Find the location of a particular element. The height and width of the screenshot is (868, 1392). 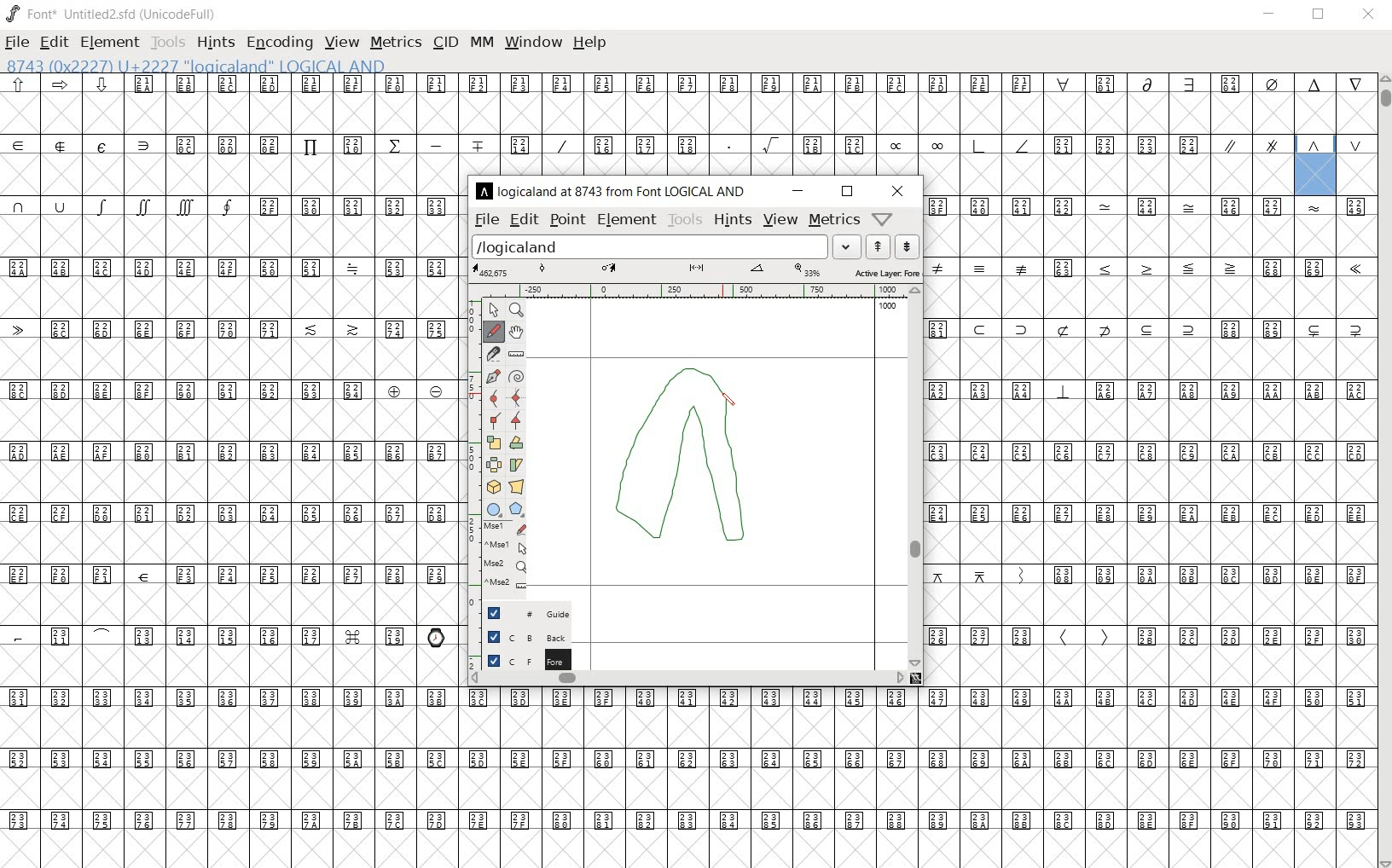

glyph characters is located at coordinates (230, 472).